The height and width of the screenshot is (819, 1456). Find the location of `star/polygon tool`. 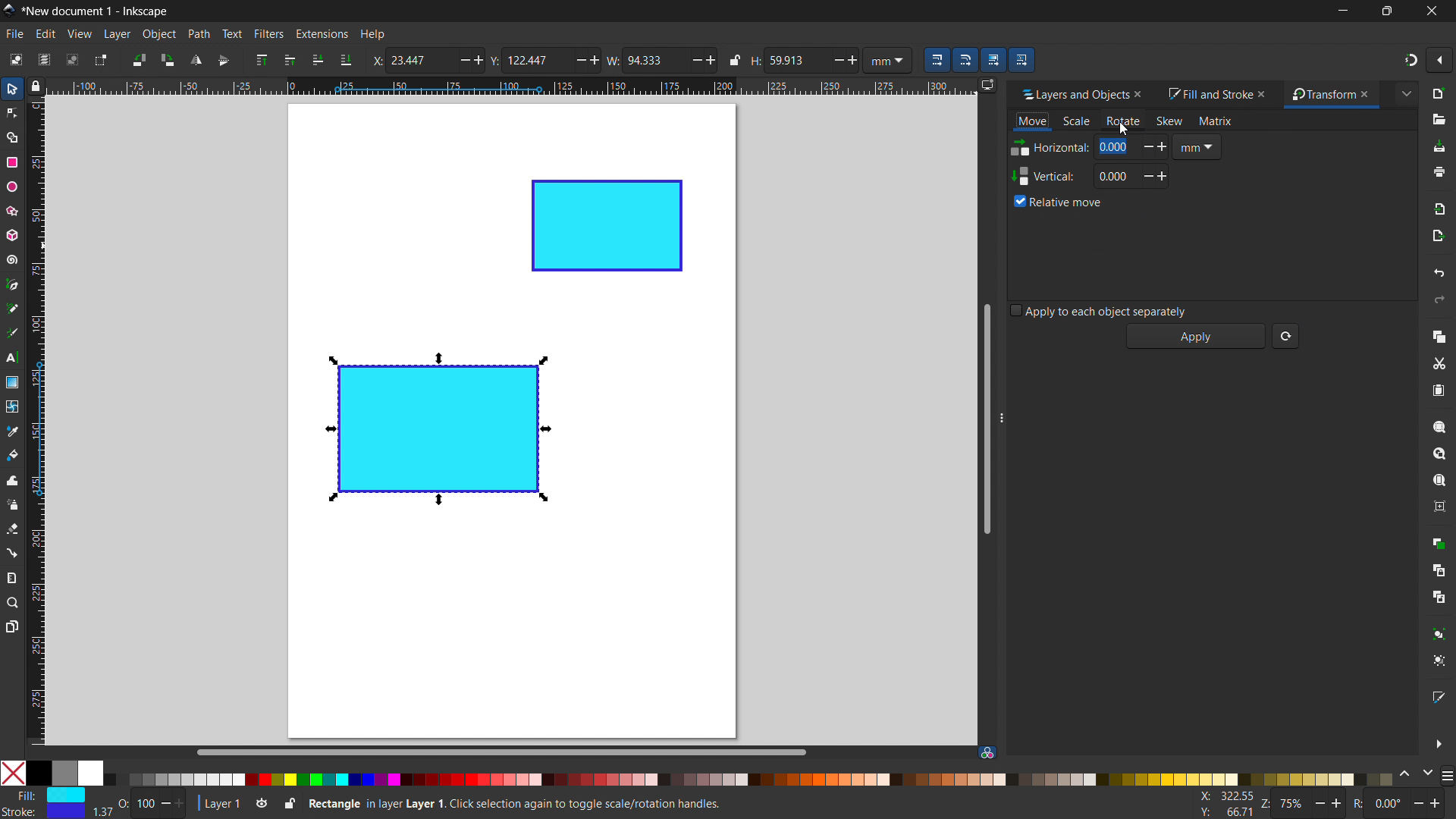

star/polygon tool is located at coordinates (10, 210).